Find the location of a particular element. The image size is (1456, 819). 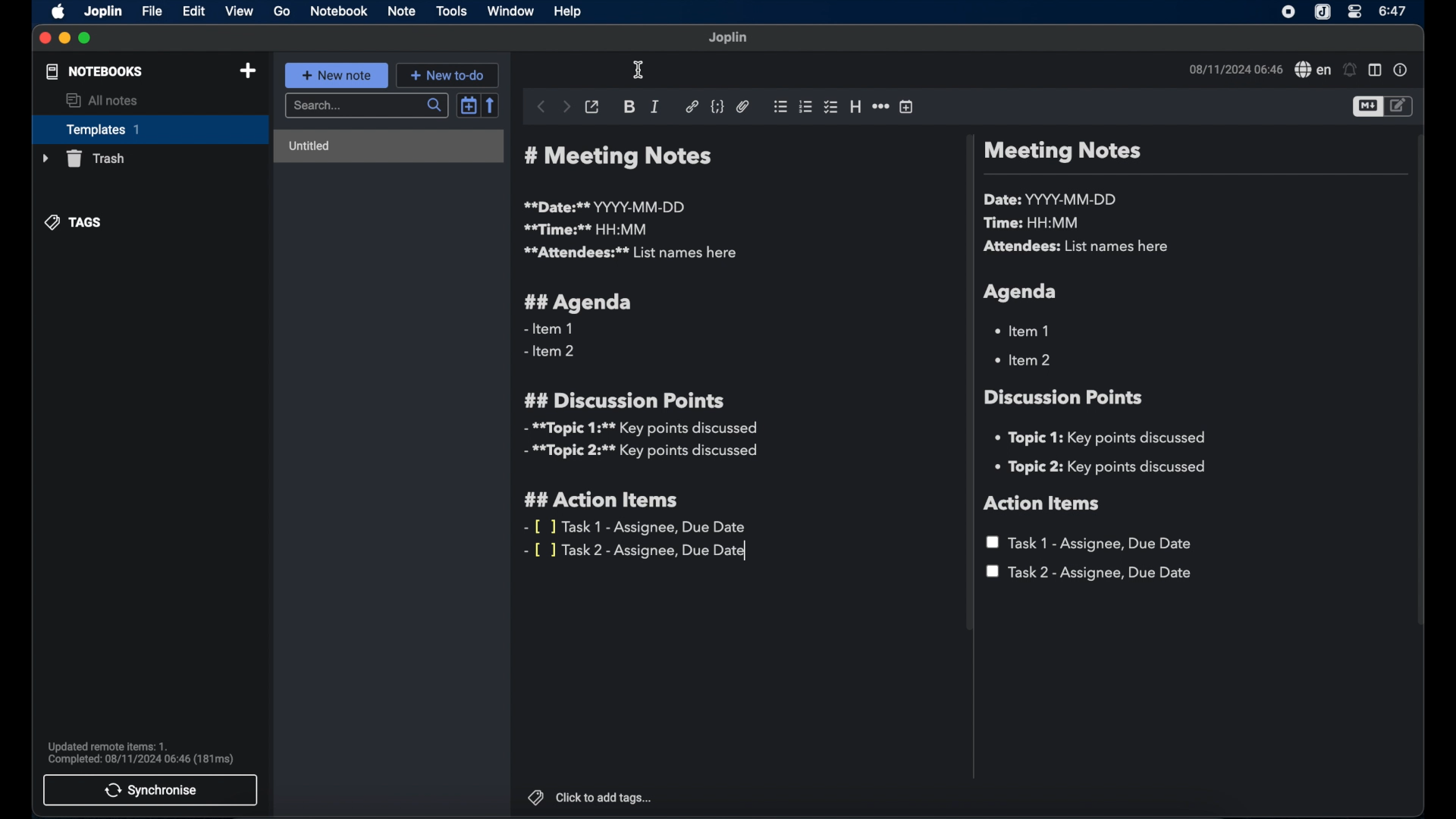

toggle editor is located at coordinates (1365, 108).